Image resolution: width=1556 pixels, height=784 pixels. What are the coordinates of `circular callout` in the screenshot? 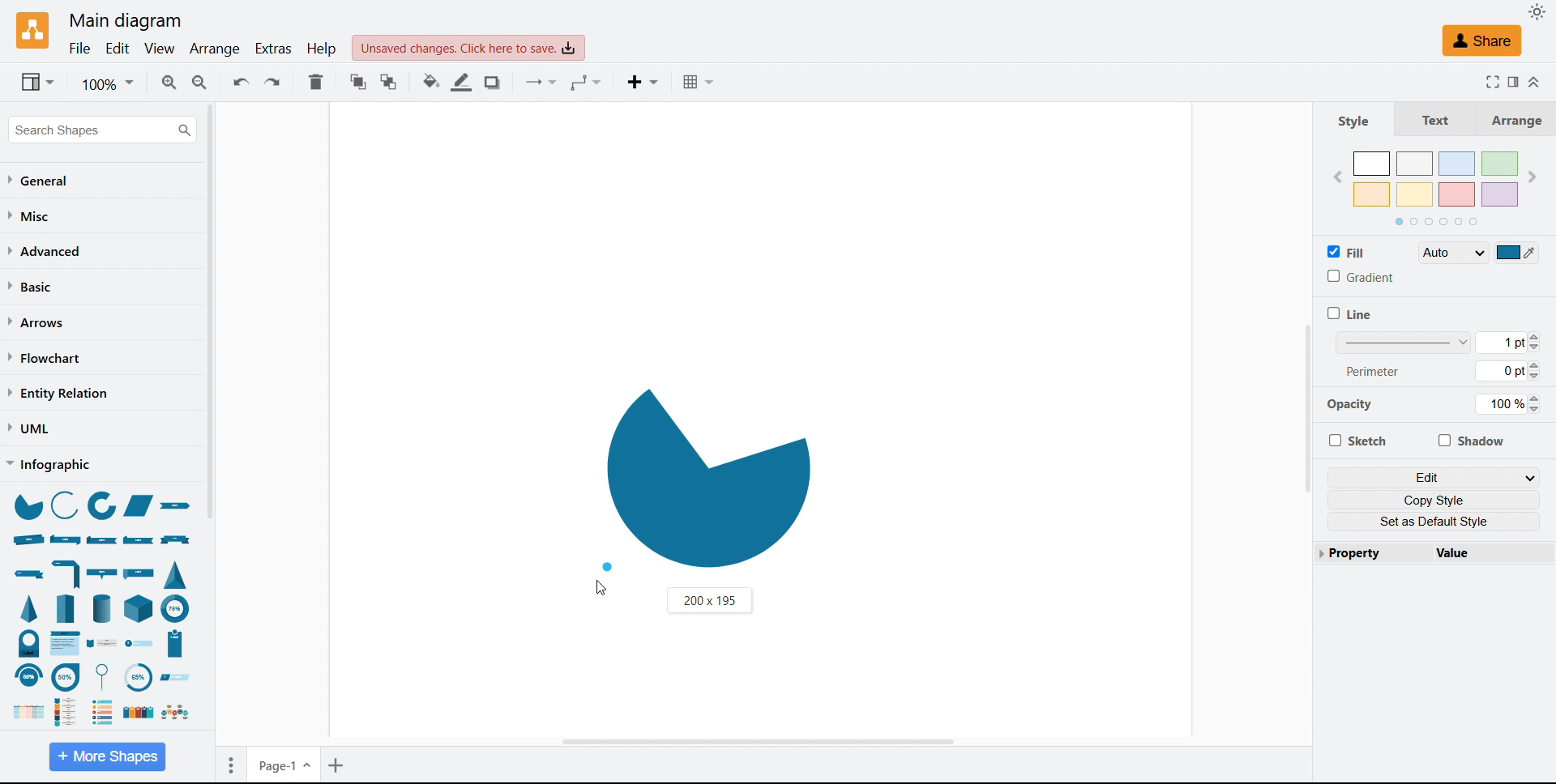 It's located at (106, 676).